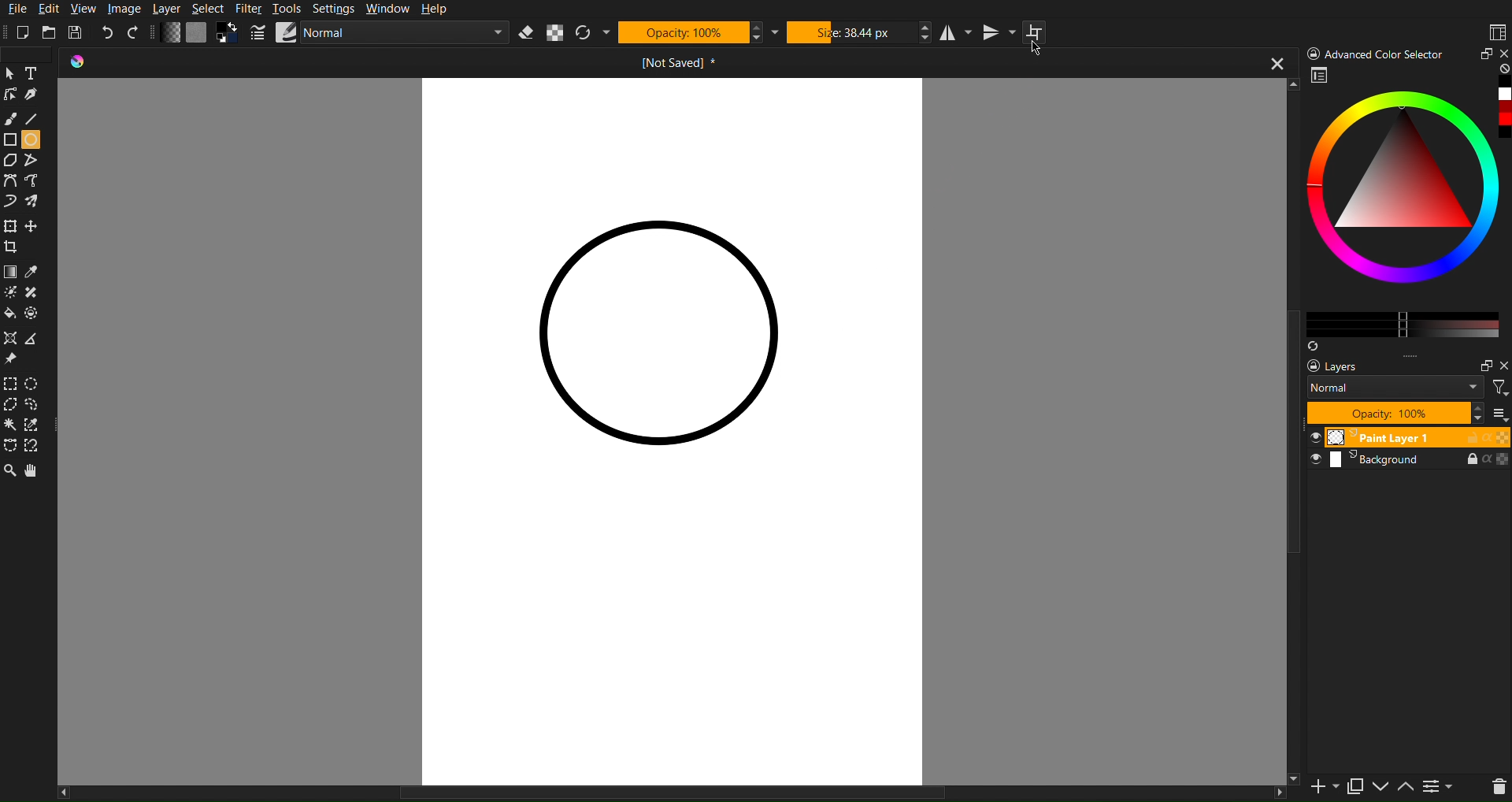 The width and height of the screenshot is (1512, 802). I want to click on Minimize, so click(1479, 53).